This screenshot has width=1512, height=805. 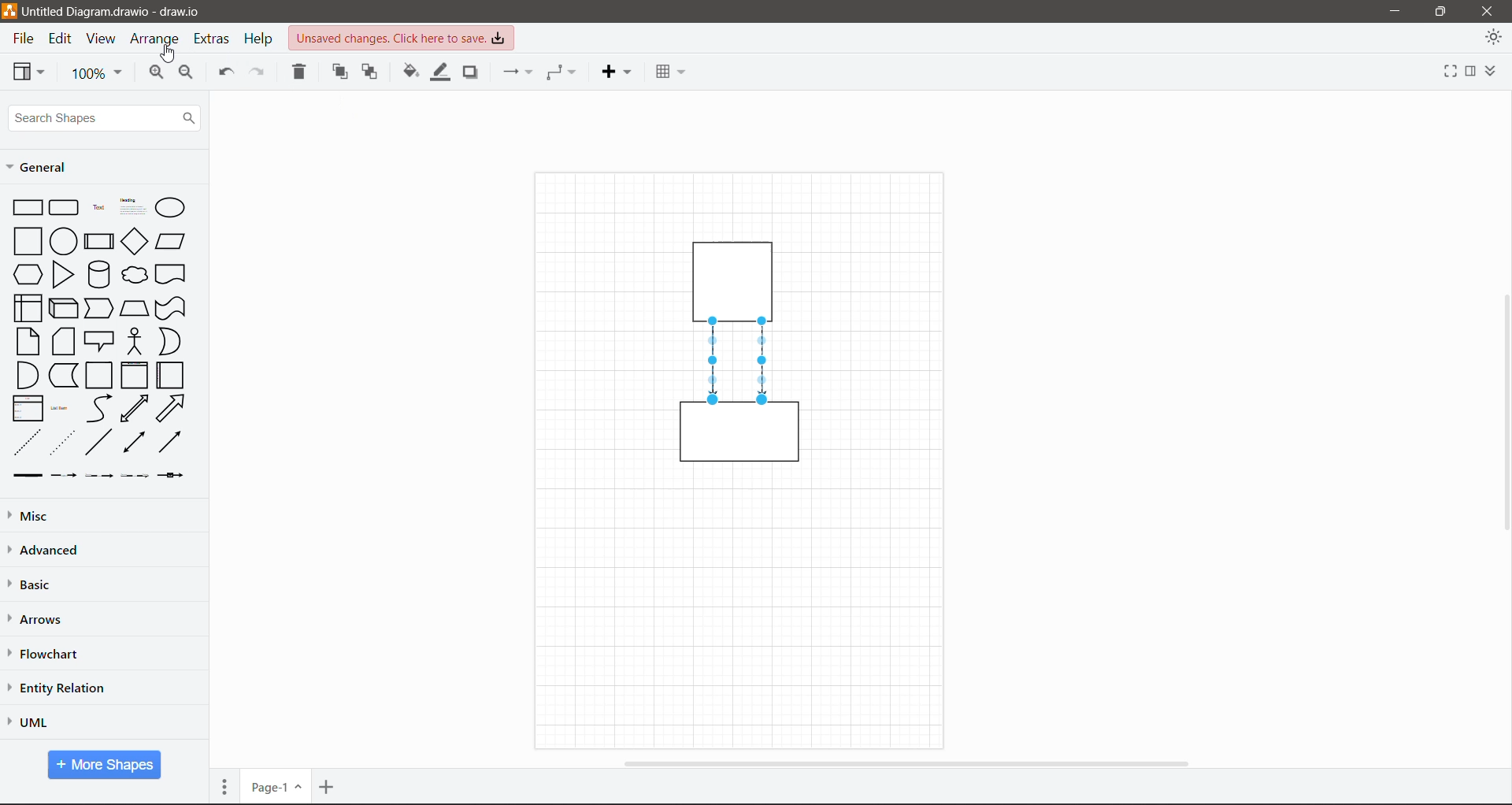 I want to click on Container, so click(x=134, y=375).